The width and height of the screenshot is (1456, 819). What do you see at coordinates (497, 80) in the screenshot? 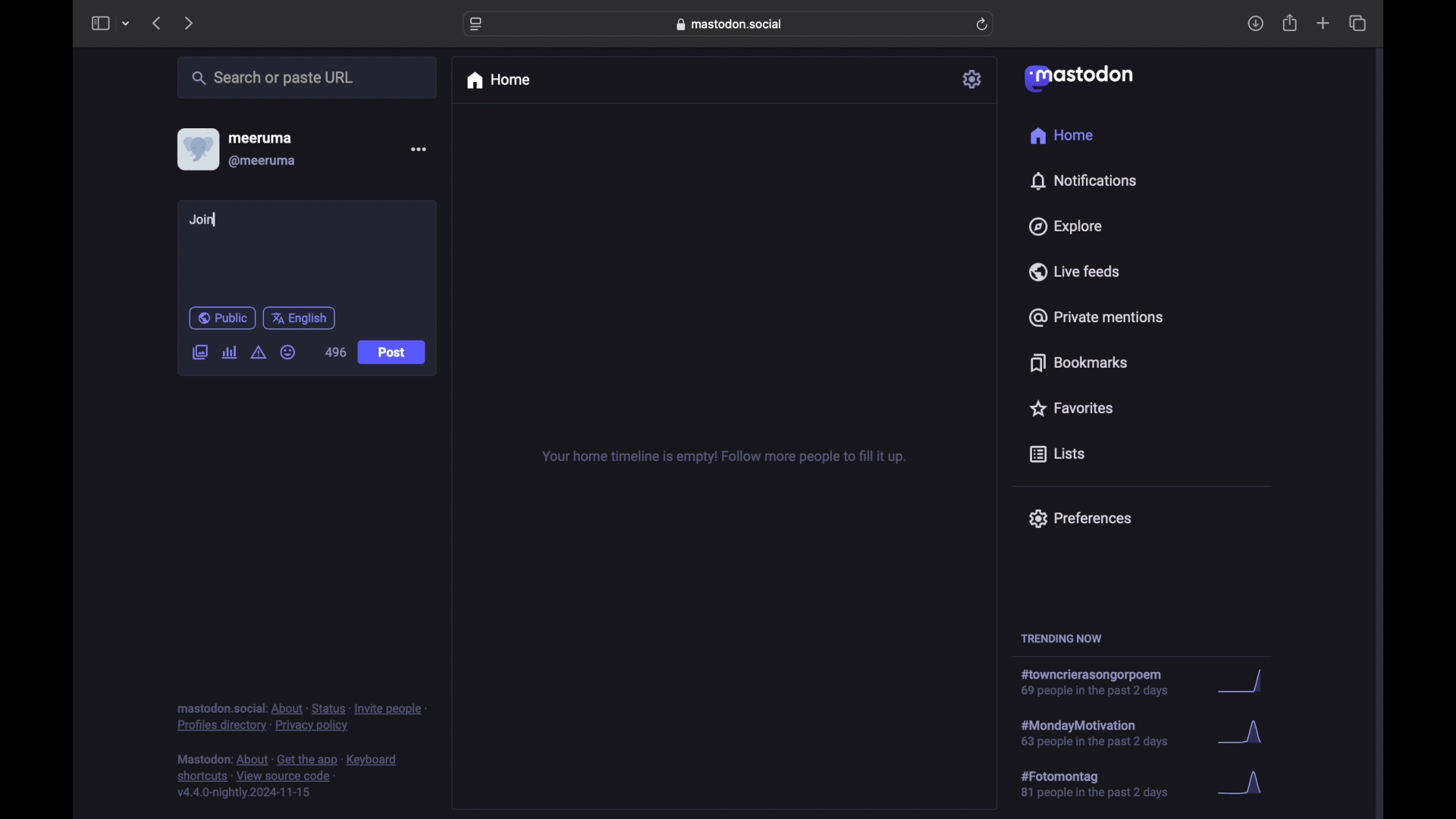
I see `home` at bounding box center [497, 80].